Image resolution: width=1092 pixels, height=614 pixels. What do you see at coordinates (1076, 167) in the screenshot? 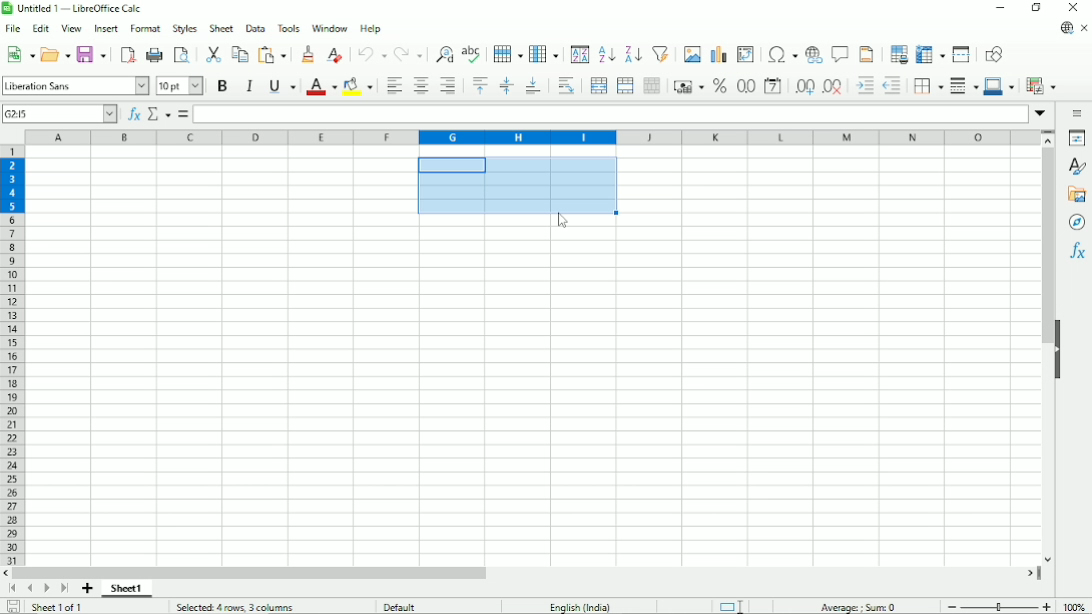
I see `Styles` at bounding box center [1076, 167].